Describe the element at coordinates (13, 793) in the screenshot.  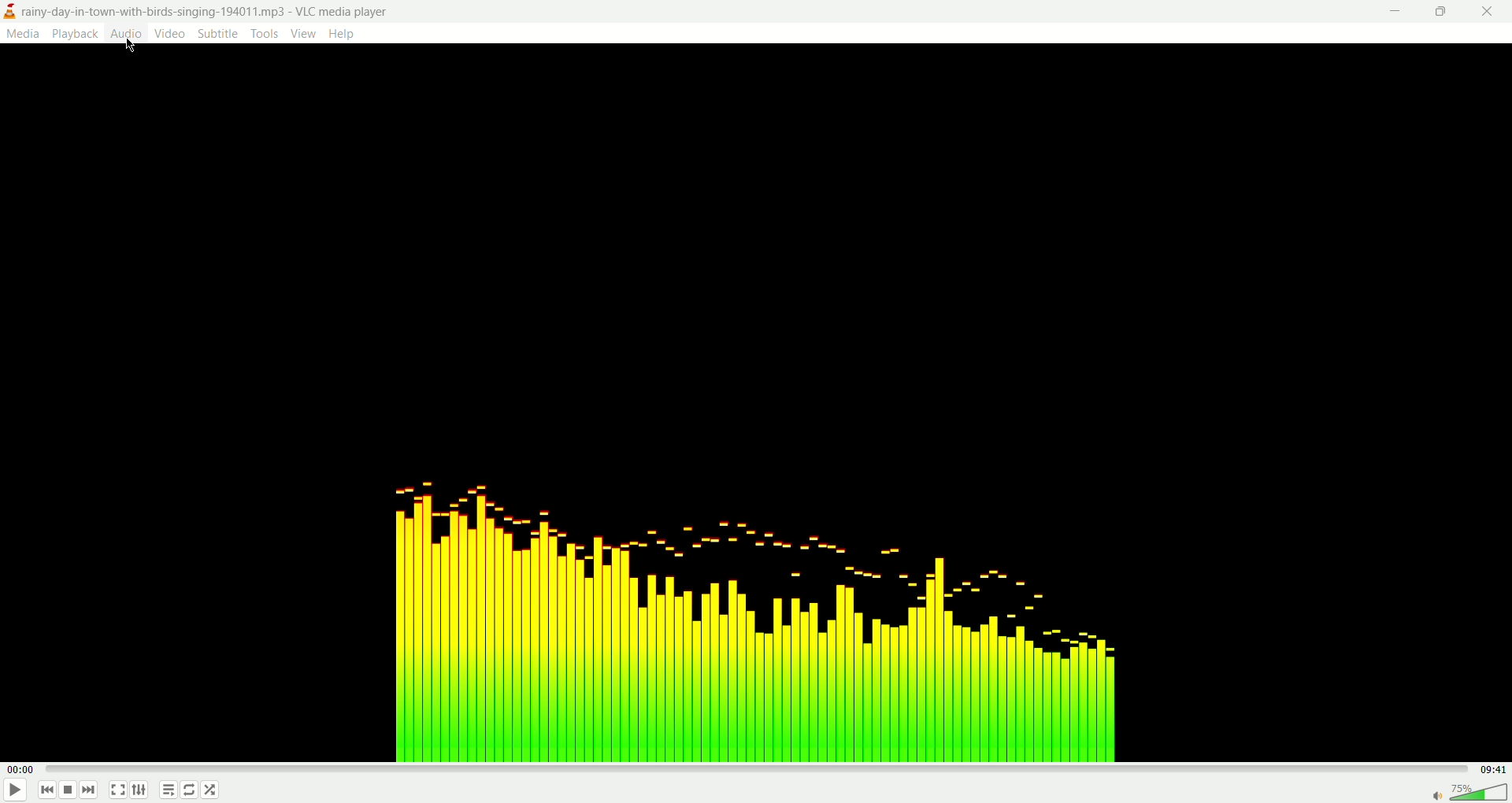
I see `play/pause` at that location.